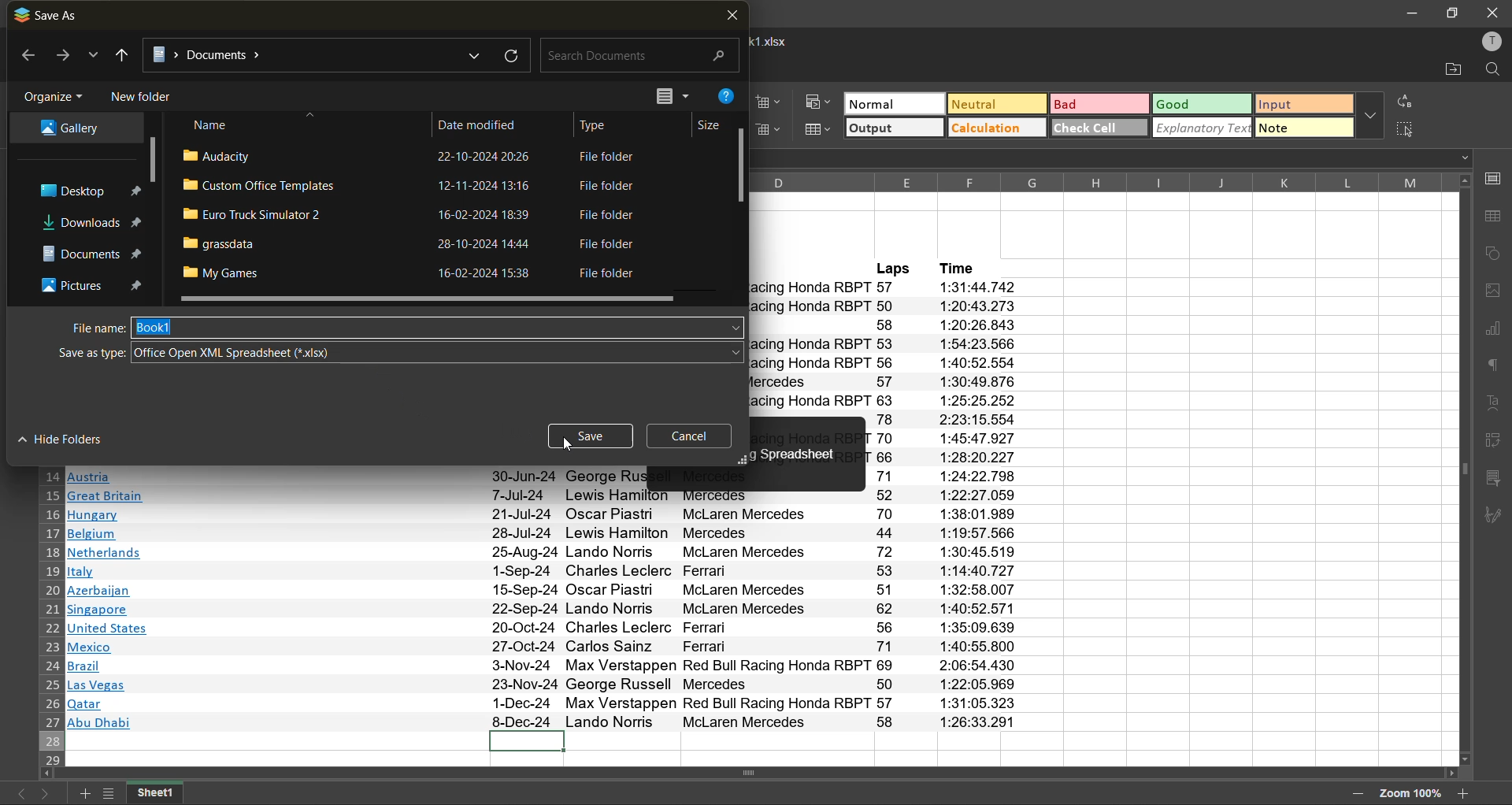 This screenshot has width=1512, height=805. What do you see at coordinates (1099, 103) in the screenshot?
I see `bad` at bounding box center [1099, 103].